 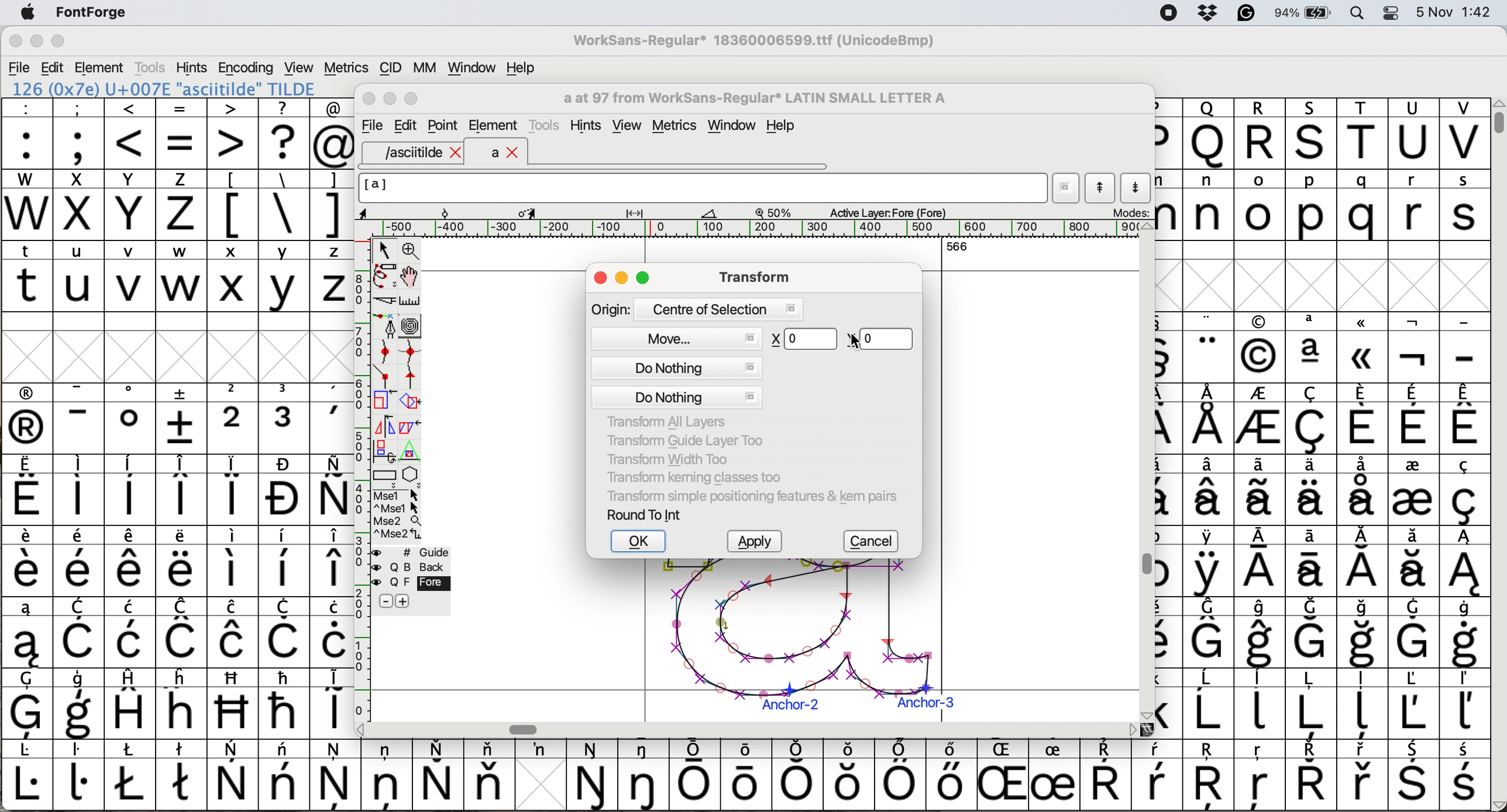 What do you see at coordinates (522, 67) in the screenshot?
I see `help` at bounding box center [522, 67].